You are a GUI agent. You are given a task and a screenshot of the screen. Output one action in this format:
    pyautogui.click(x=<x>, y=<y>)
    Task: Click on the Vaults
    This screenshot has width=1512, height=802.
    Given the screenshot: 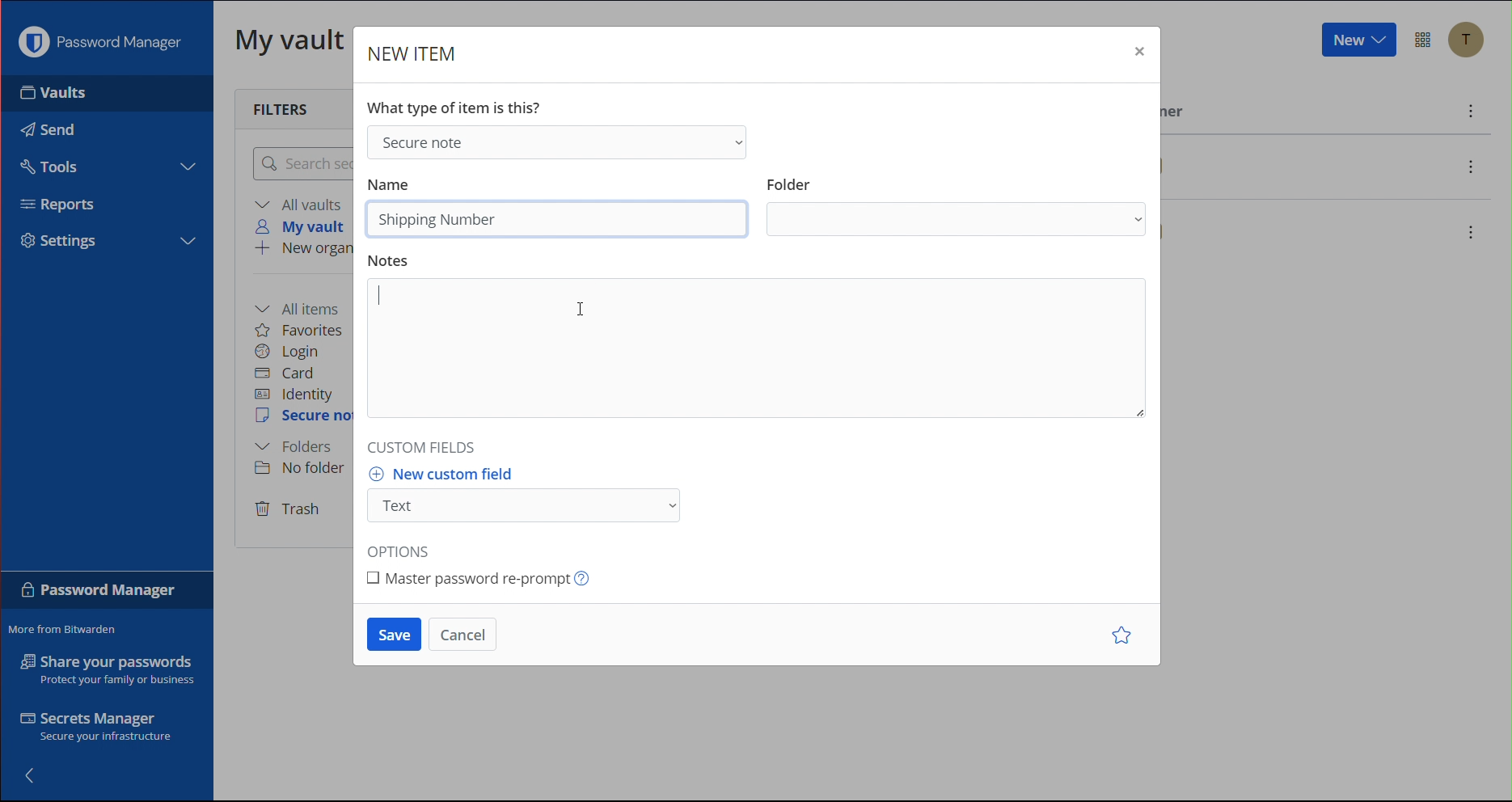 What is the action you would take?
    pyautogui.click(x=53, y=98)
    